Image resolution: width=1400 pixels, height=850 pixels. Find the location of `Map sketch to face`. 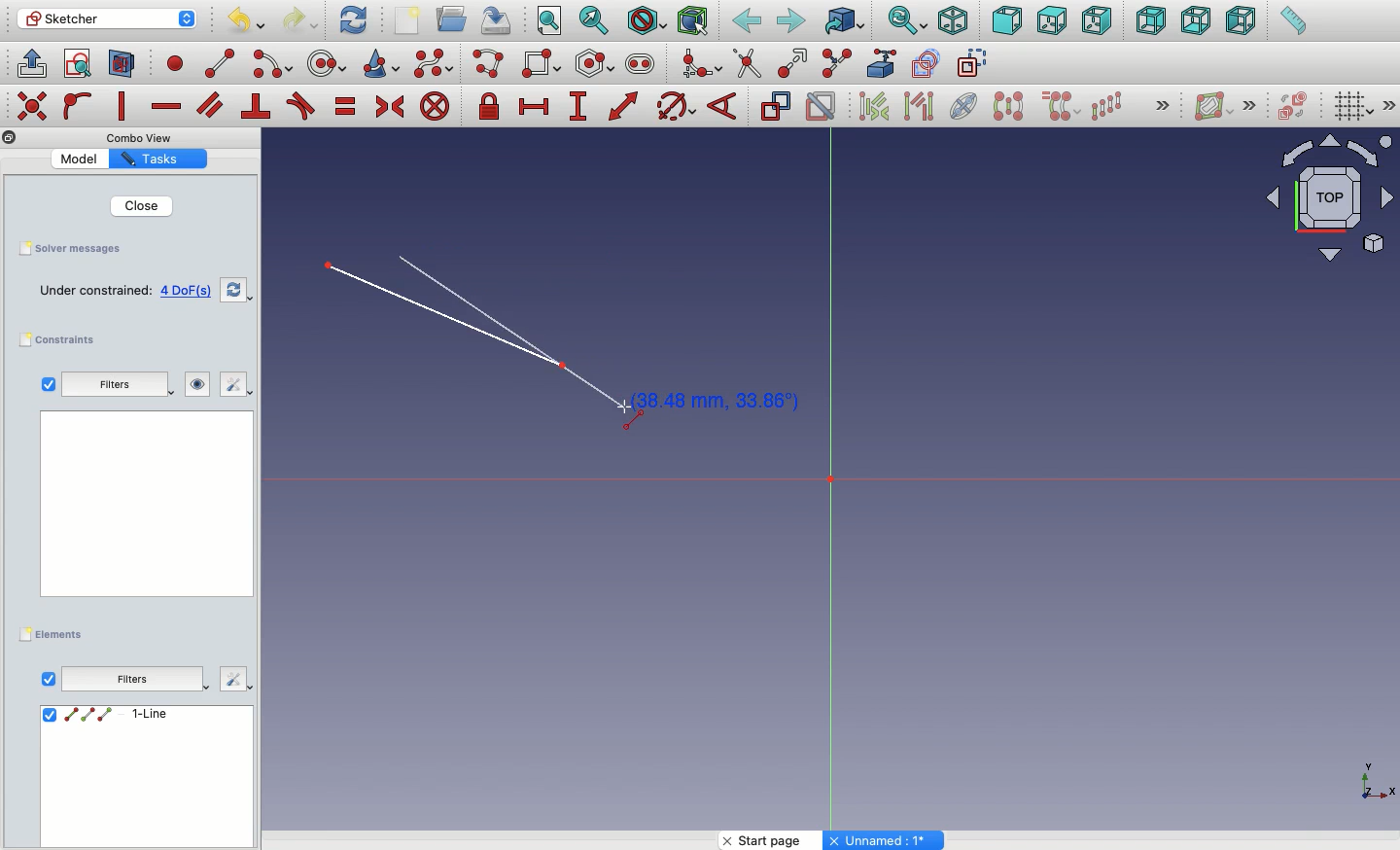

Map sketch to face is located at coordinates (122, 64).